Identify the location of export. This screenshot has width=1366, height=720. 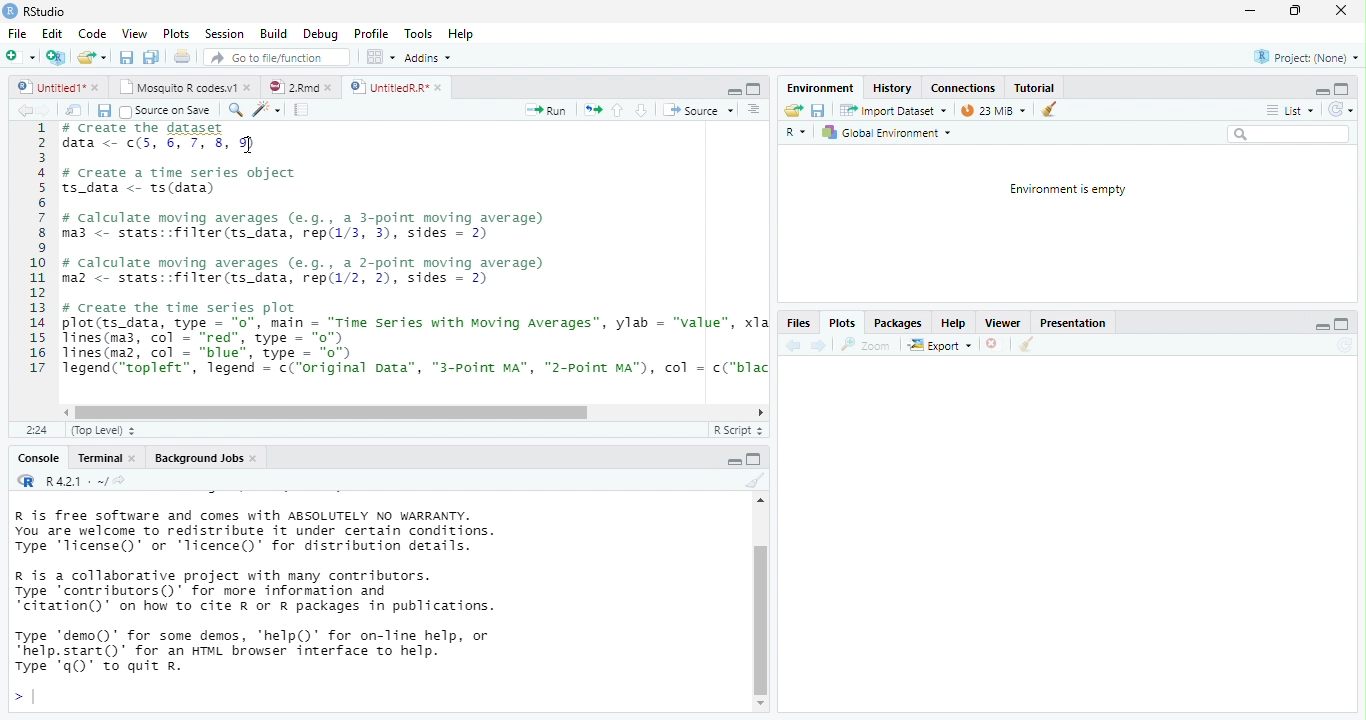
(939, 346).